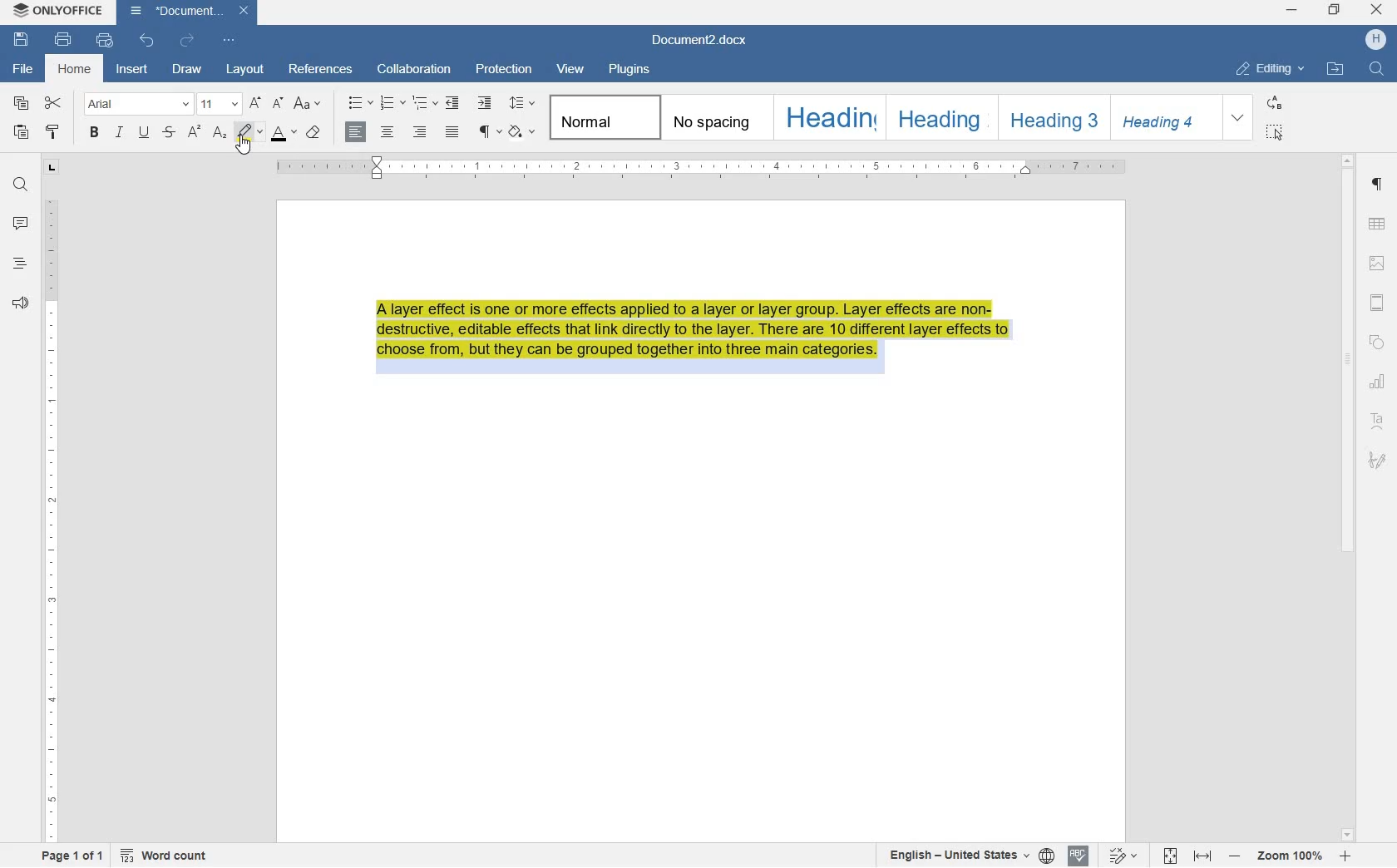 Image resolution: width=1397 pixels, height=868 pixels. I want to click on BOLD, so click(96, 133).